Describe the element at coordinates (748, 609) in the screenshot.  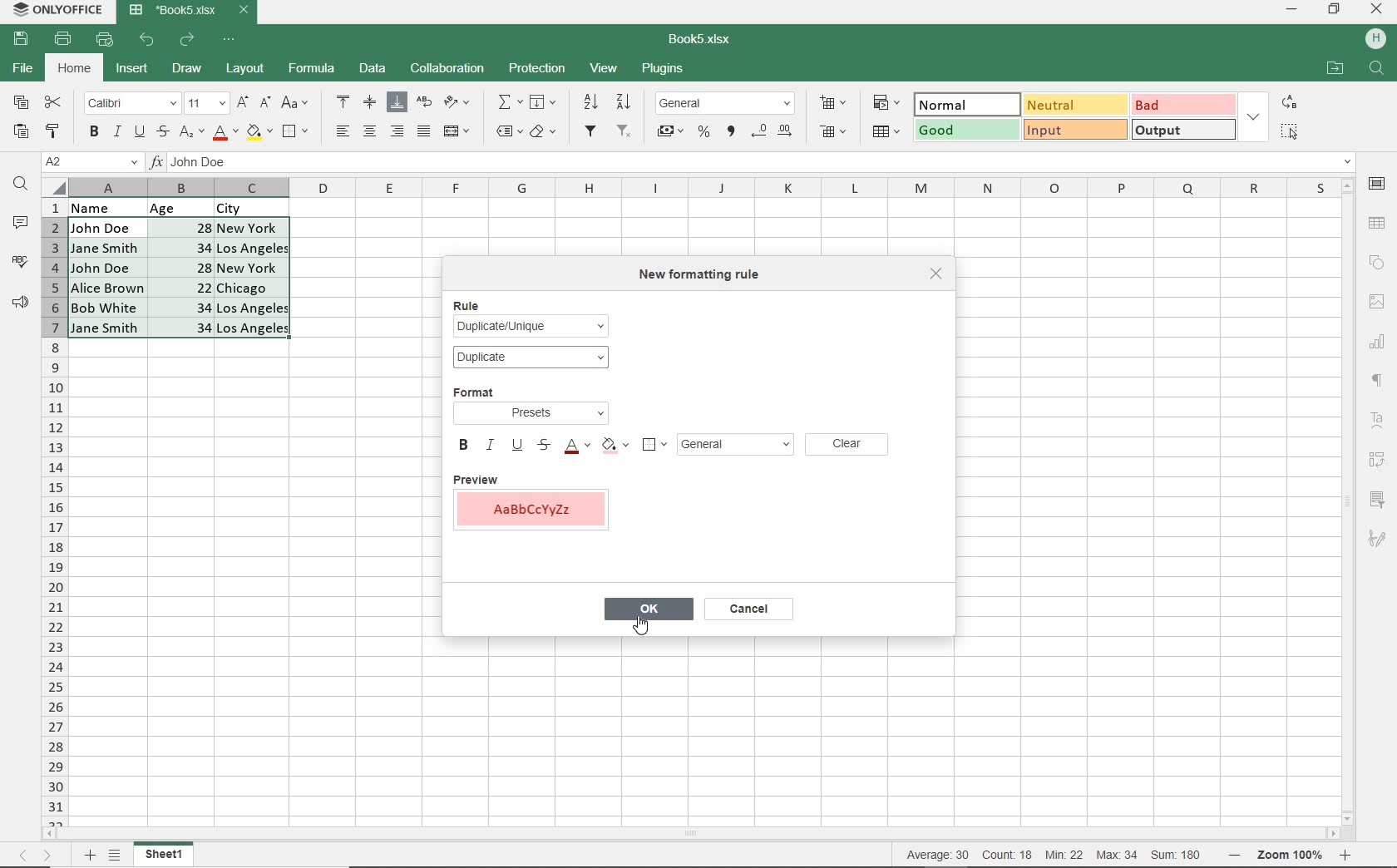
I see `CANCEL` at that location.